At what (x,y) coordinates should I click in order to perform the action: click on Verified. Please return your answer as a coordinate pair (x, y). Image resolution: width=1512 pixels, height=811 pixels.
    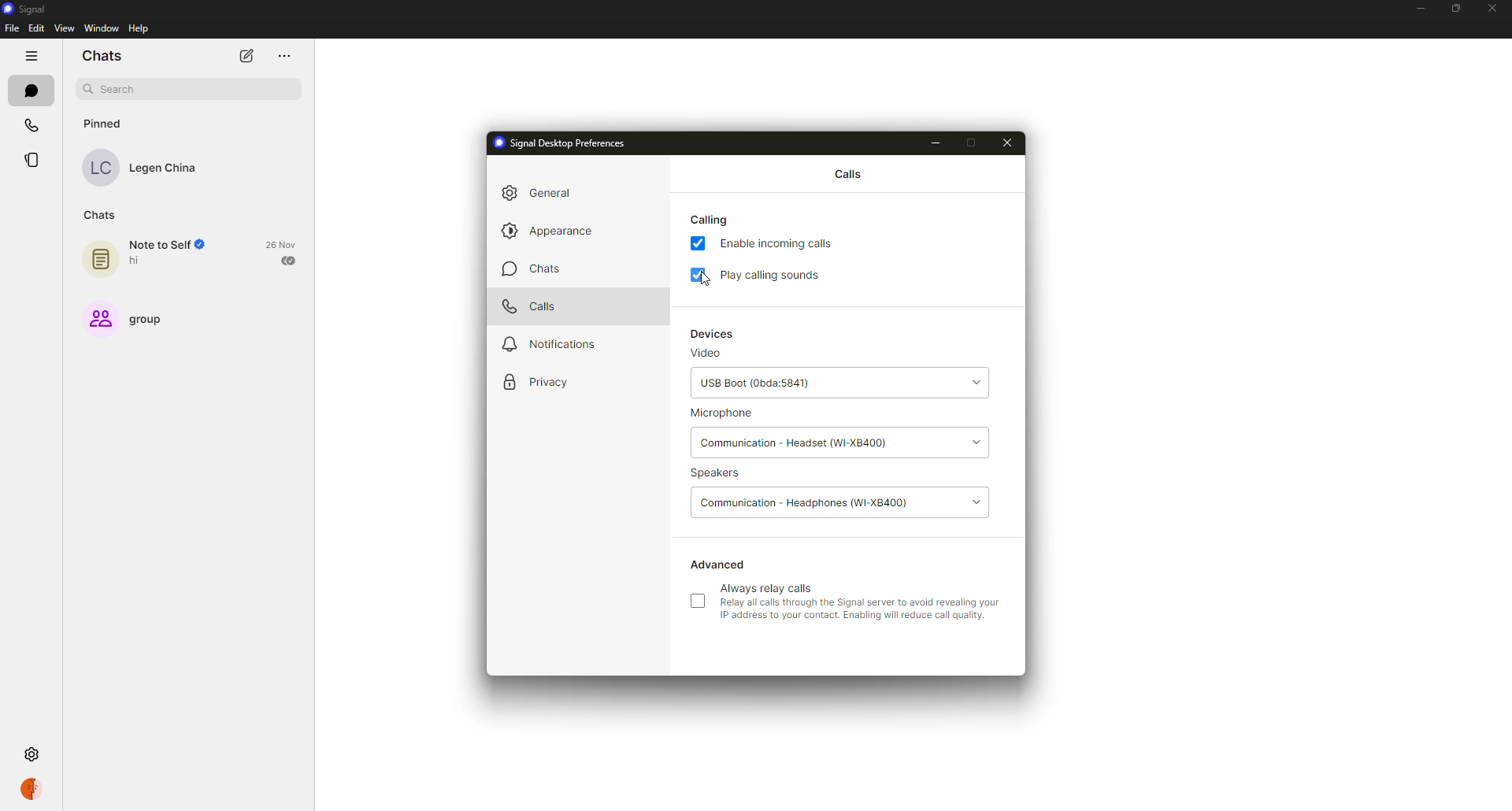
    Looking at the image, I should click on (206, 246).